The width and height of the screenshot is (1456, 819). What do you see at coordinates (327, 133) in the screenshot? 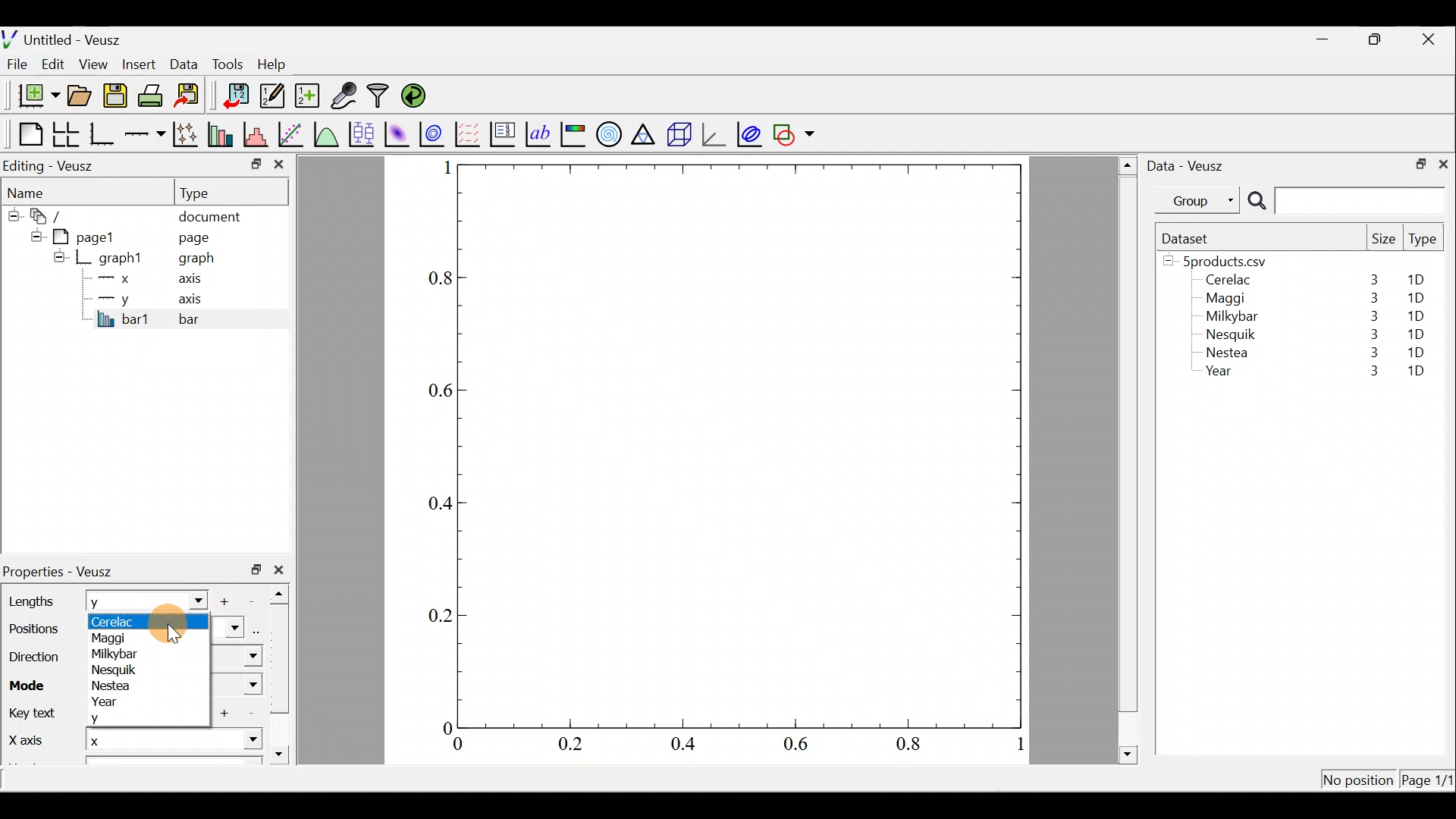
I see `Plot a function` at bounding box center [327, 133].